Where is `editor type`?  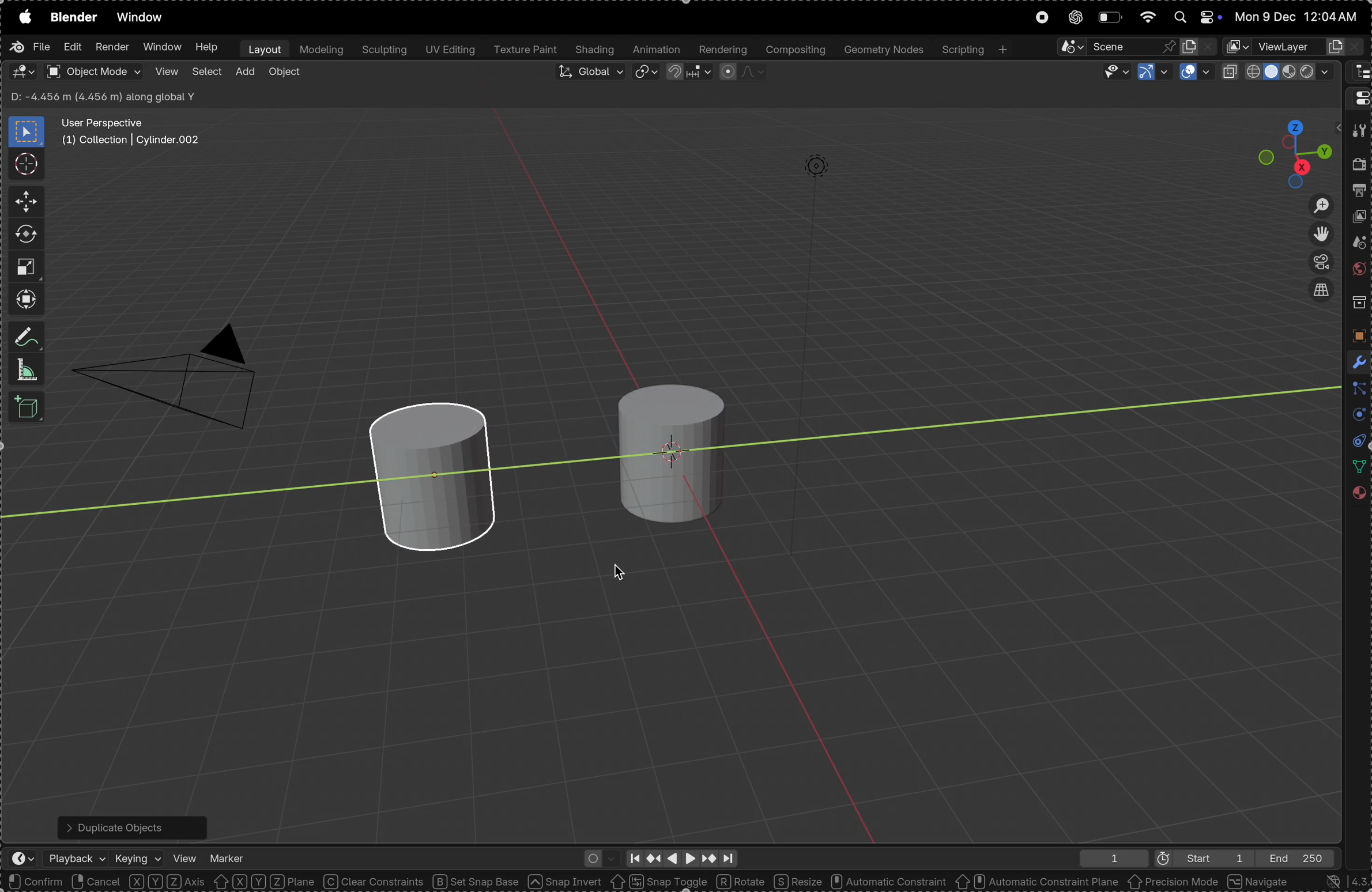 editor type is located at coordinates (1358, 97).